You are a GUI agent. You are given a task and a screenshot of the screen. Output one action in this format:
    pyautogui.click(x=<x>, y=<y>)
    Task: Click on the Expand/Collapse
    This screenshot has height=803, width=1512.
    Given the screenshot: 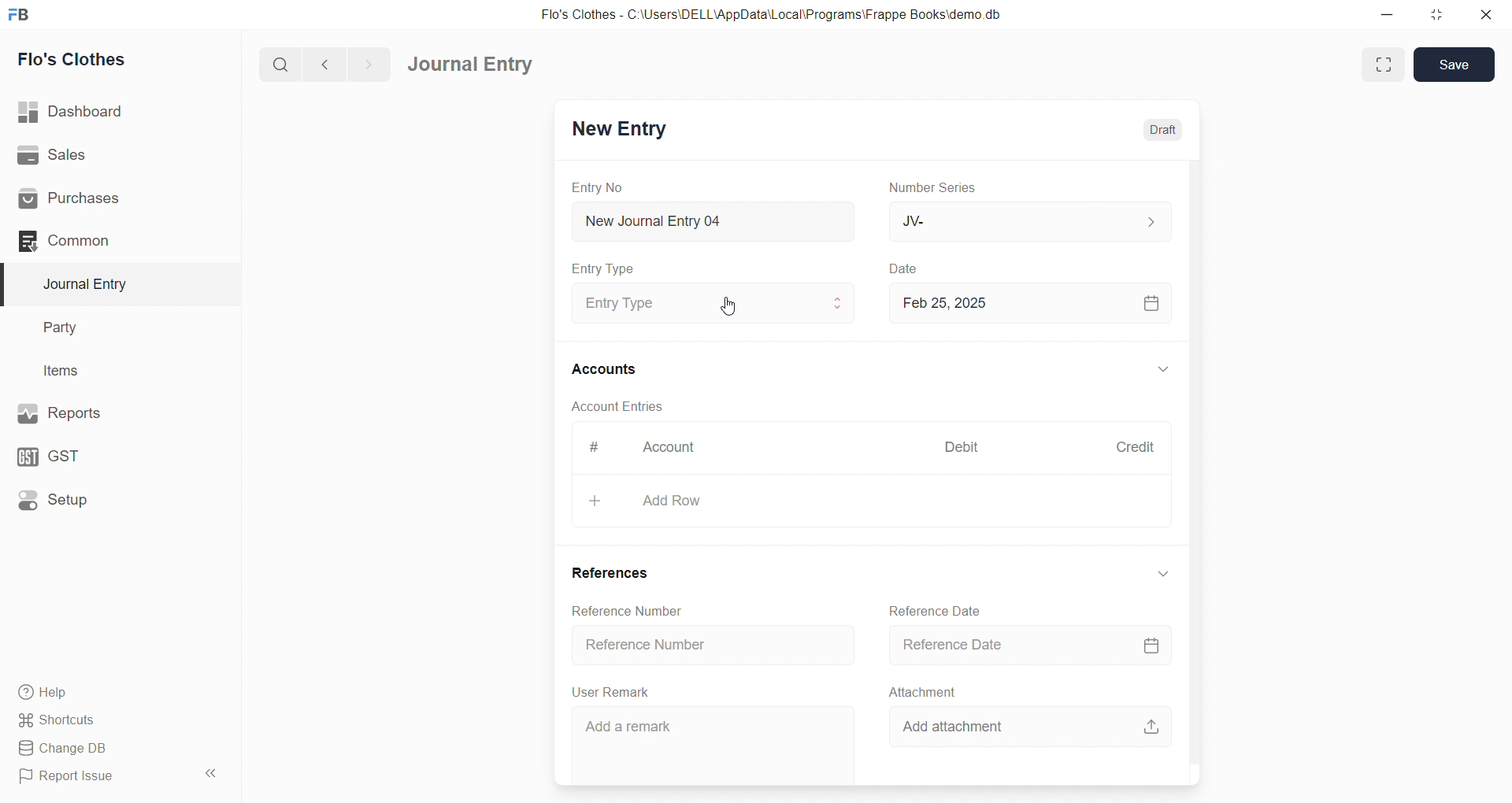 What is the action you would take?
    pyautogui.click(x=1163, y=371)
    